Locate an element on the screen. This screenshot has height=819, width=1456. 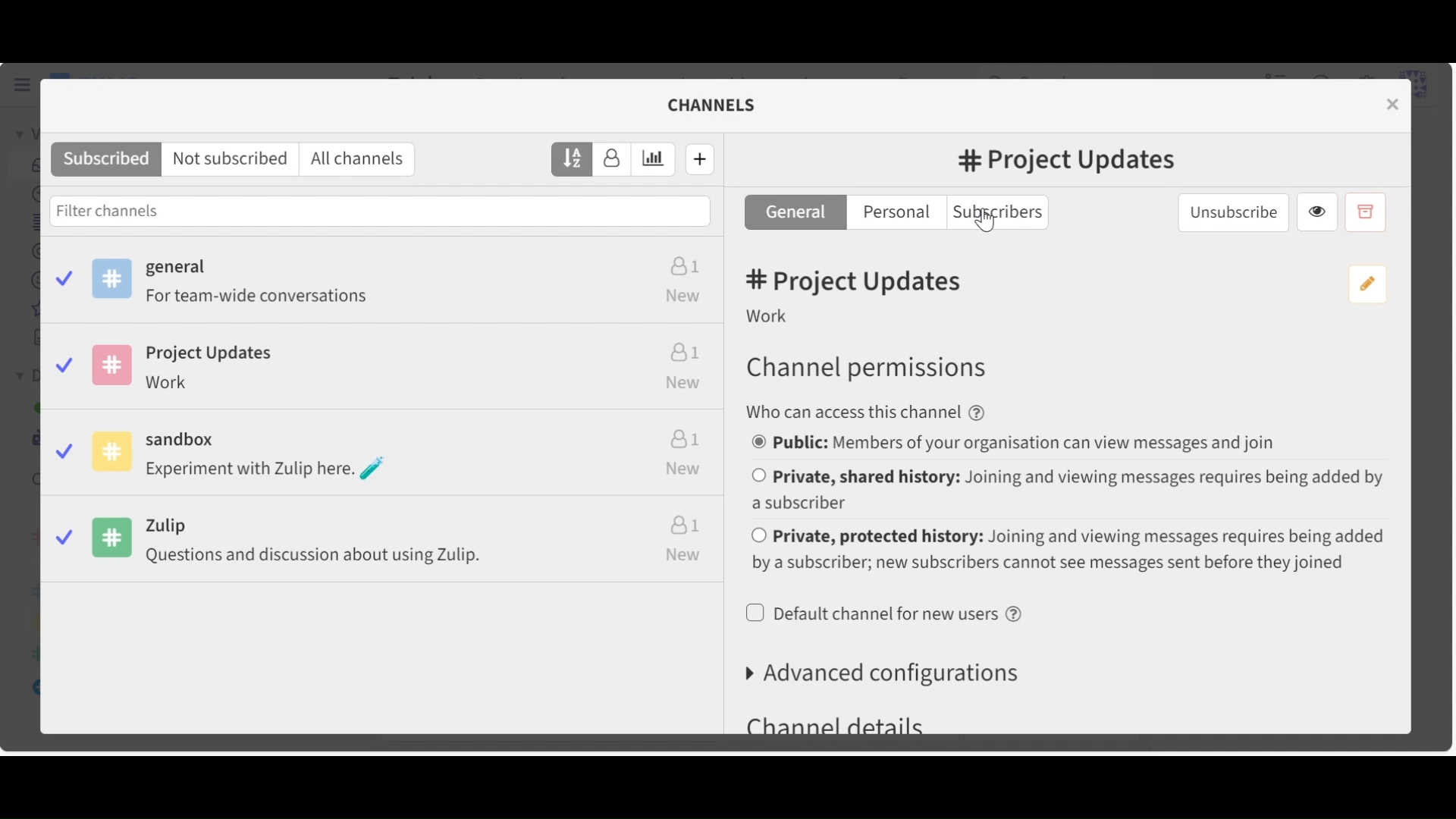
 is located at coordinates (105, 159).